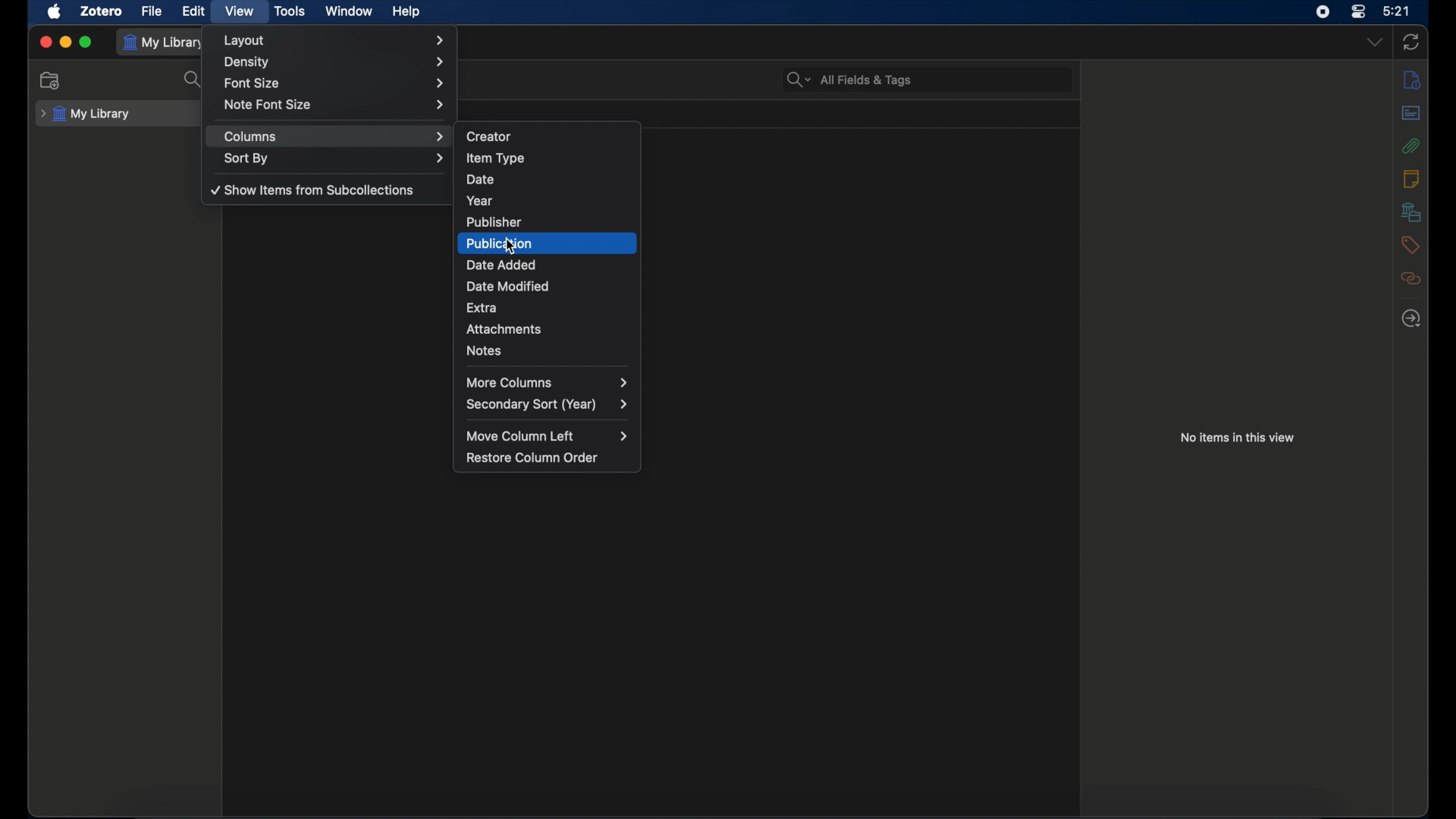  What do you see at coordinates (1411, 212) in the screenshot?
I see `libraries` at bounding box center [1411, 212].